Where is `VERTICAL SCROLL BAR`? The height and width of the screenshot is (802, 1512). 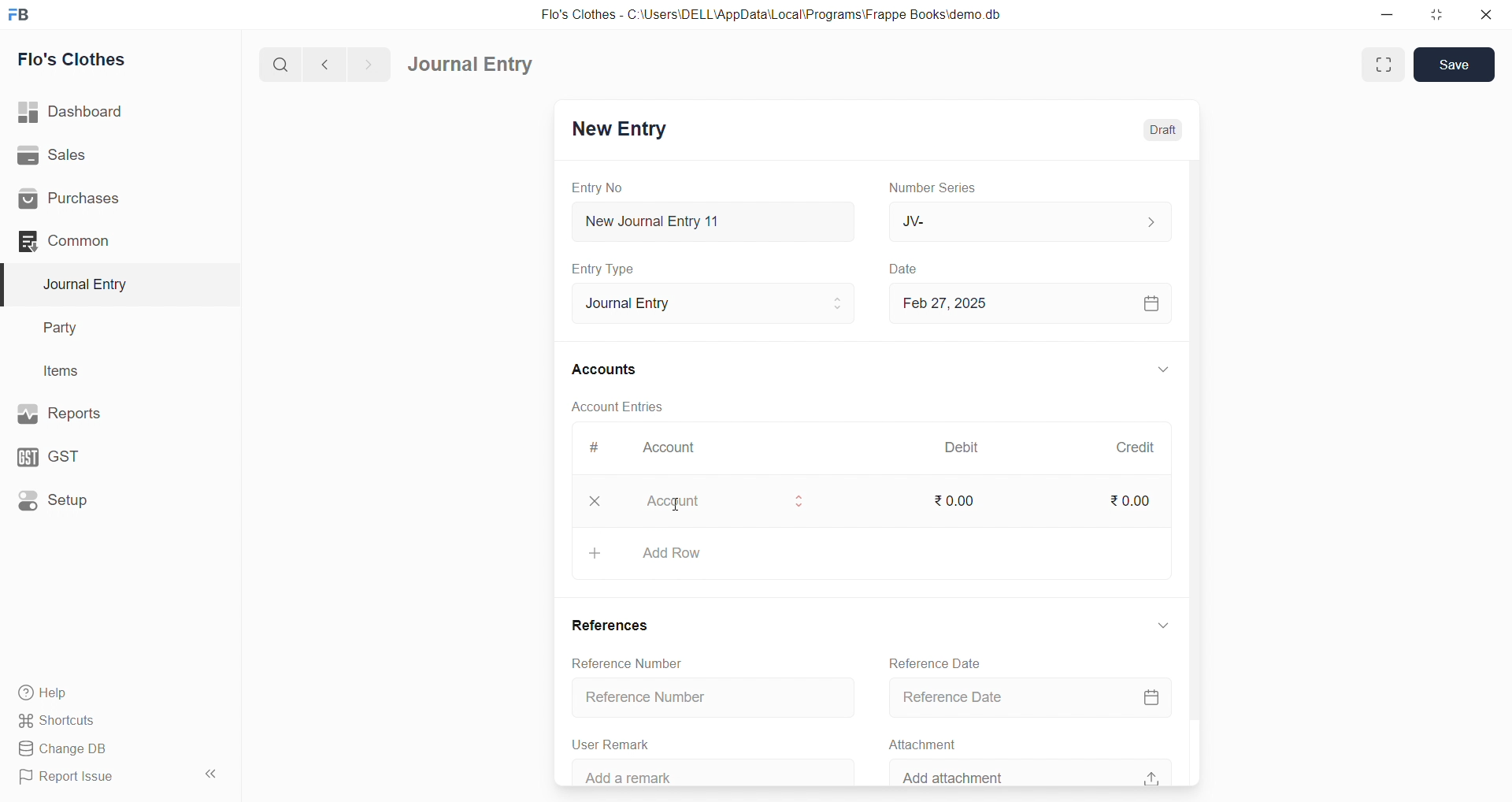
VERTICAL SCROLL BAR is located at coordinates (1192, 472).